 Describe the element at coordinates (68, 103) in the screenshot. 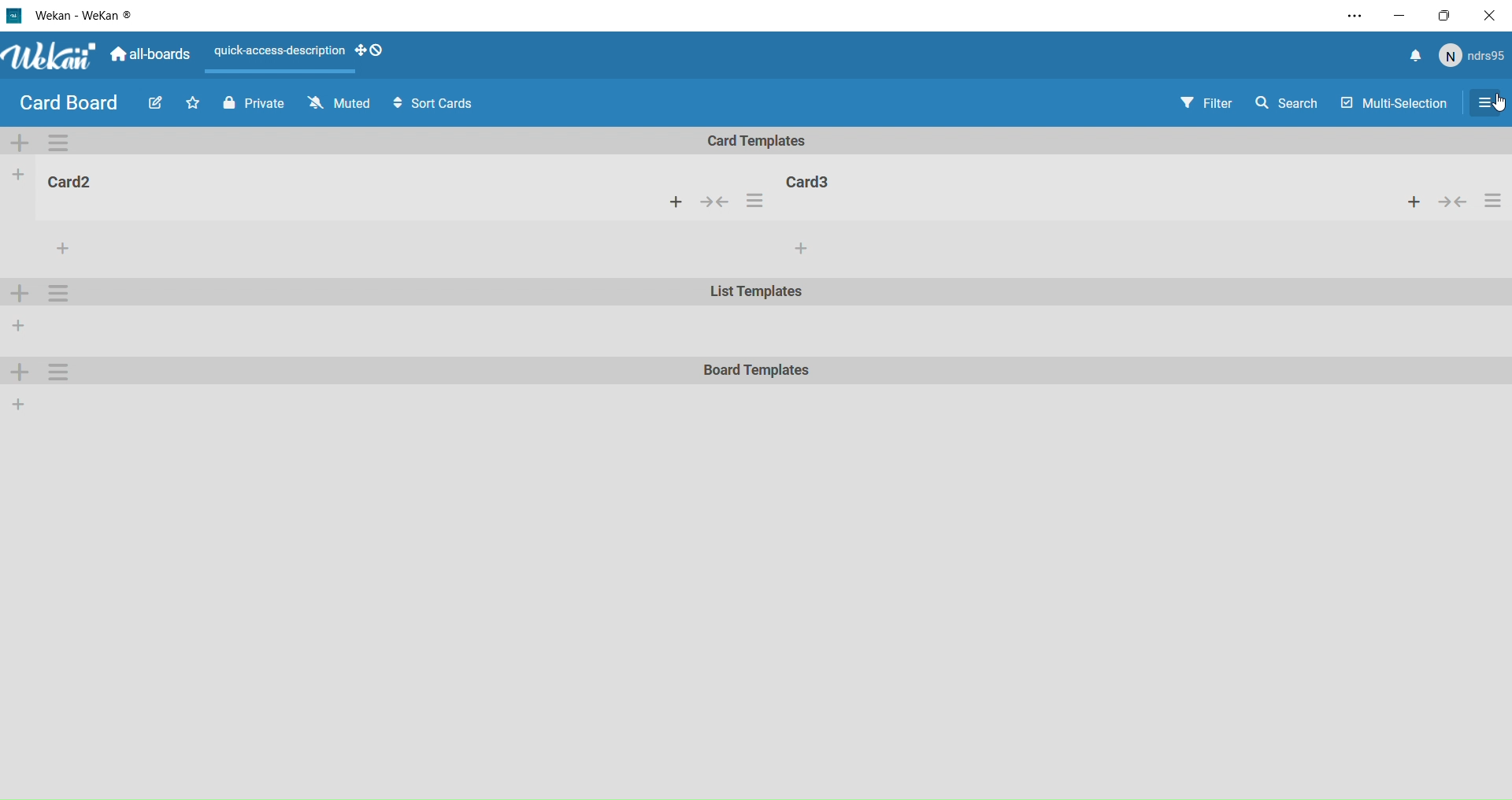

I see `Card board` at that location.